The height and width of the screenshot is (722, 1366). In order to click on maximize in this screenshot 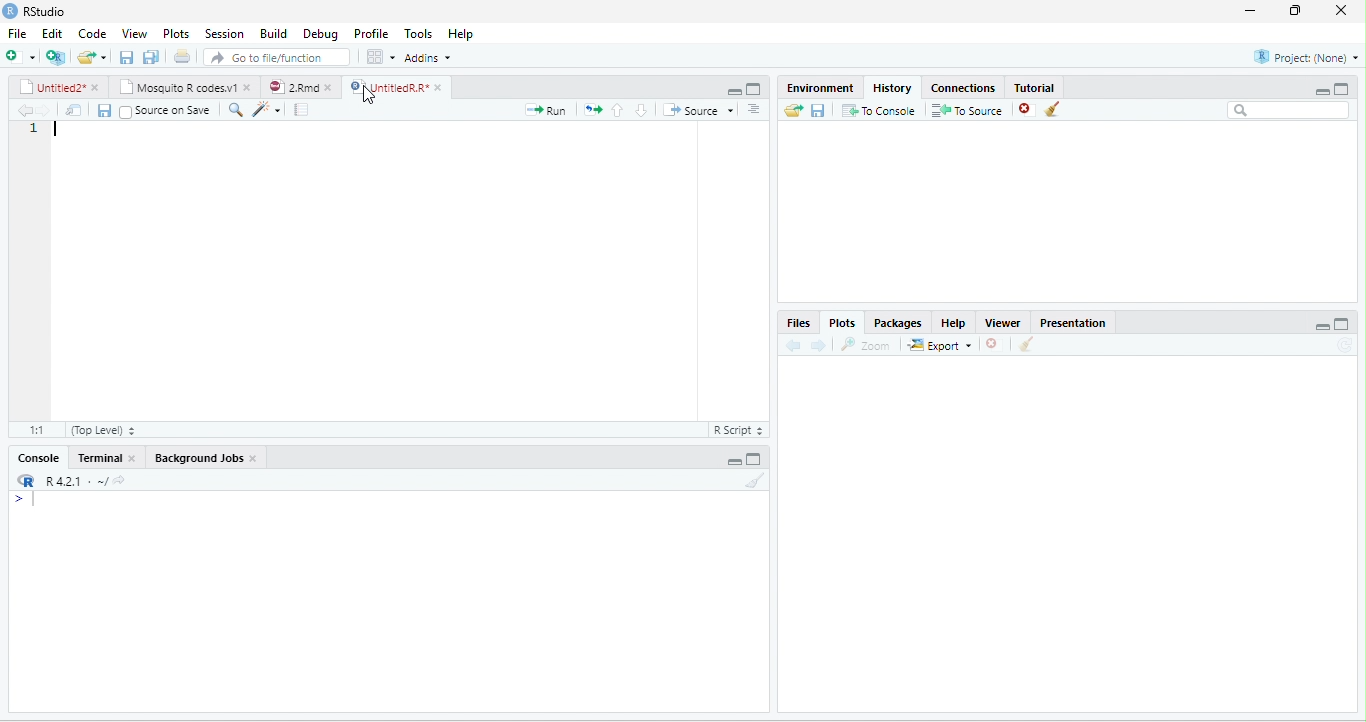, I will do `click(753, 89)`.